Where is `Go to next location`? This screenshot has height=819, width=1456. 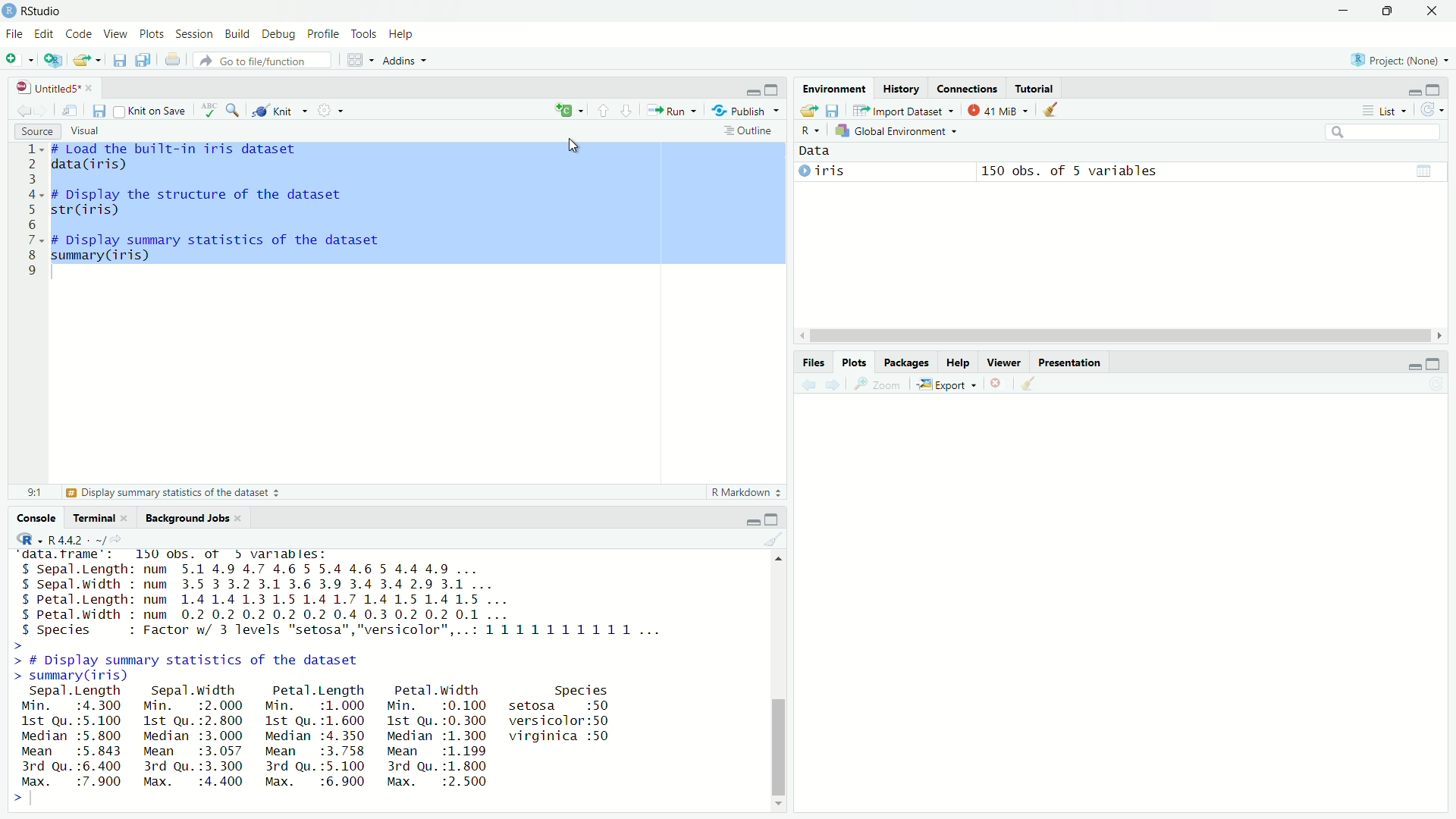
Go to next location is located at coordinates (43, 110).